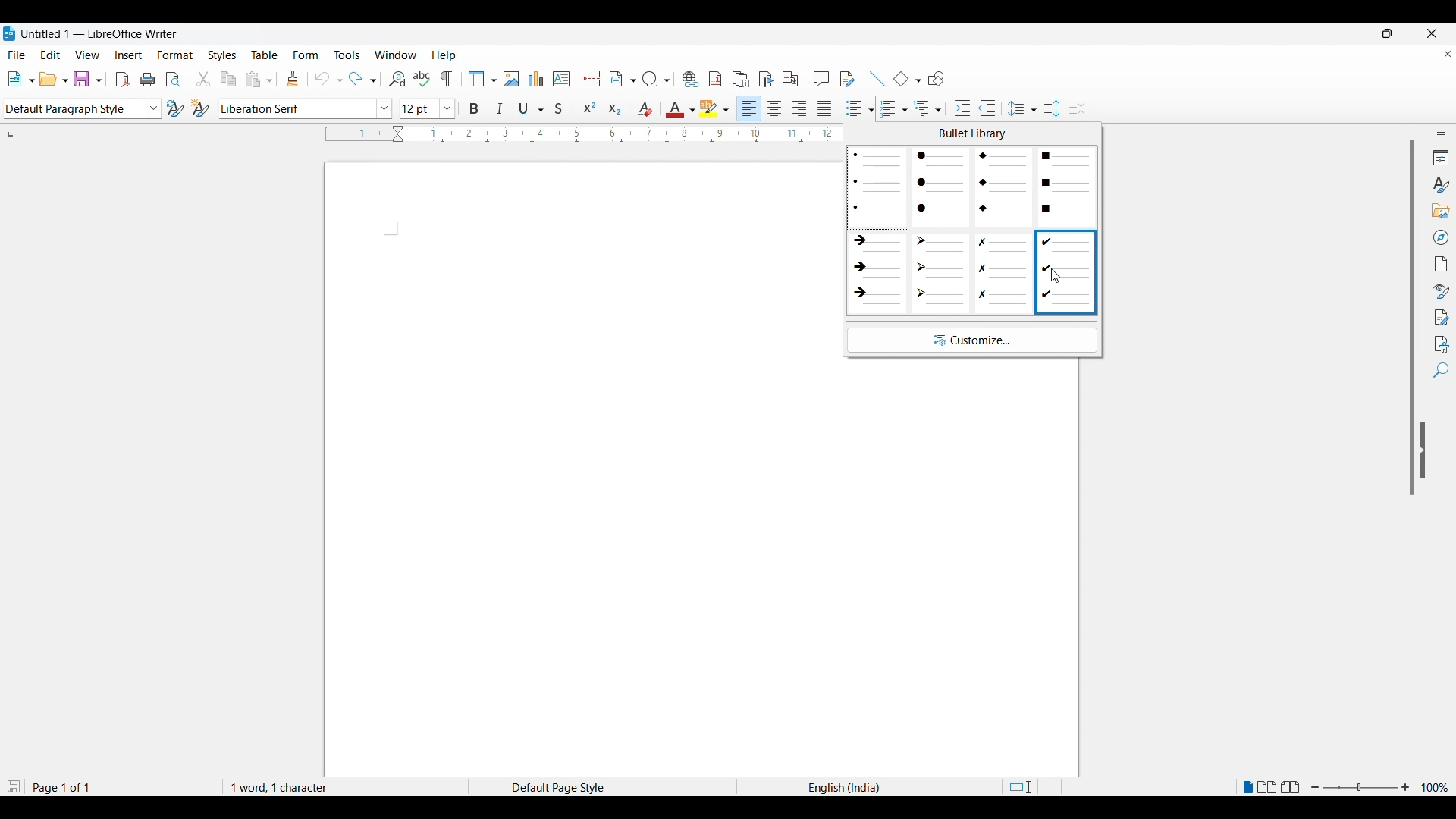  I want to click on clear direct formatting, so click(644, 108).